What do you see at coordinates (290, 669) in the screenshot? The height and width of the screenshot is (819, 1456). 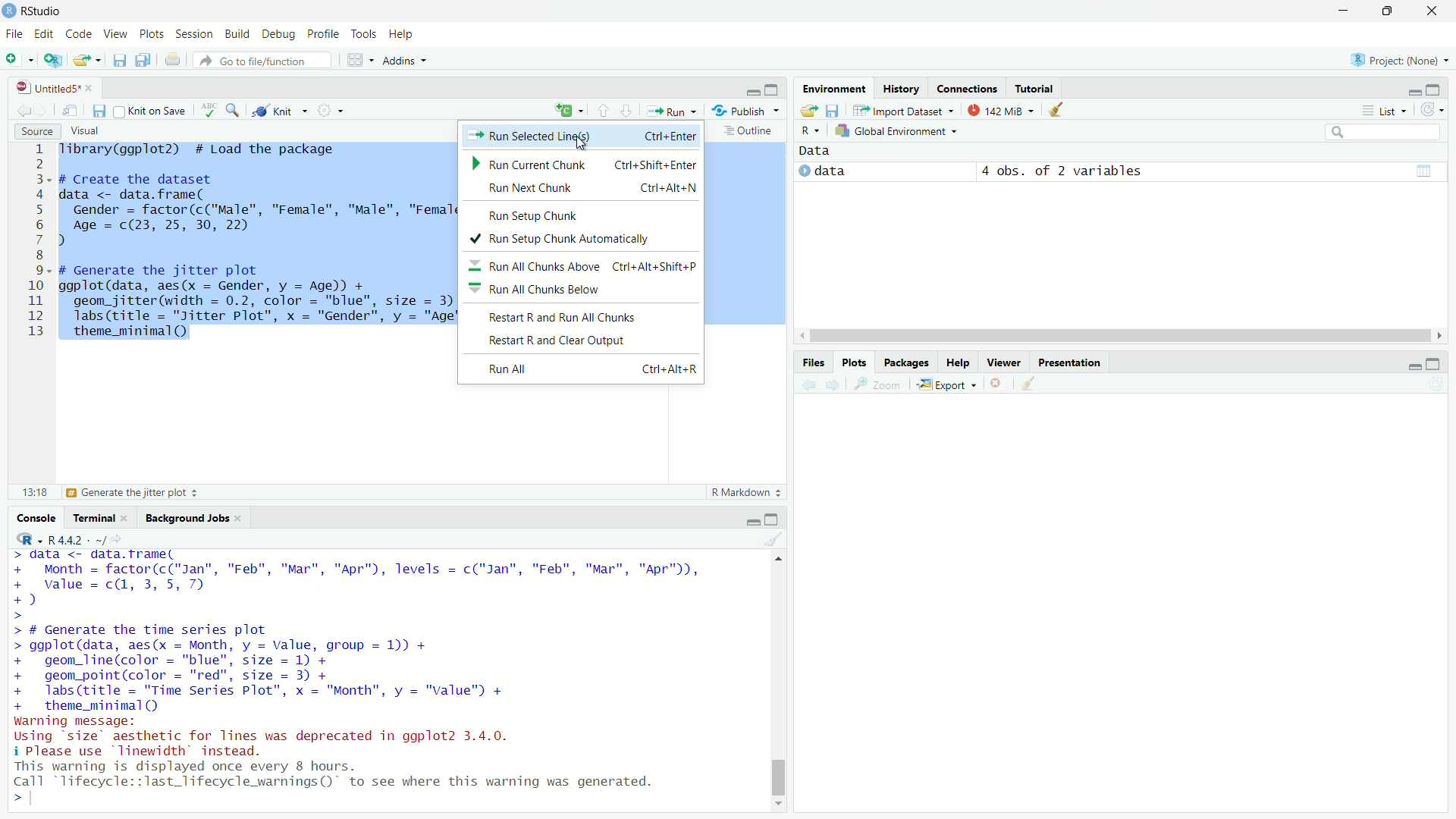 I see `code to generate the time series plot` at bounding box center [290, 669].